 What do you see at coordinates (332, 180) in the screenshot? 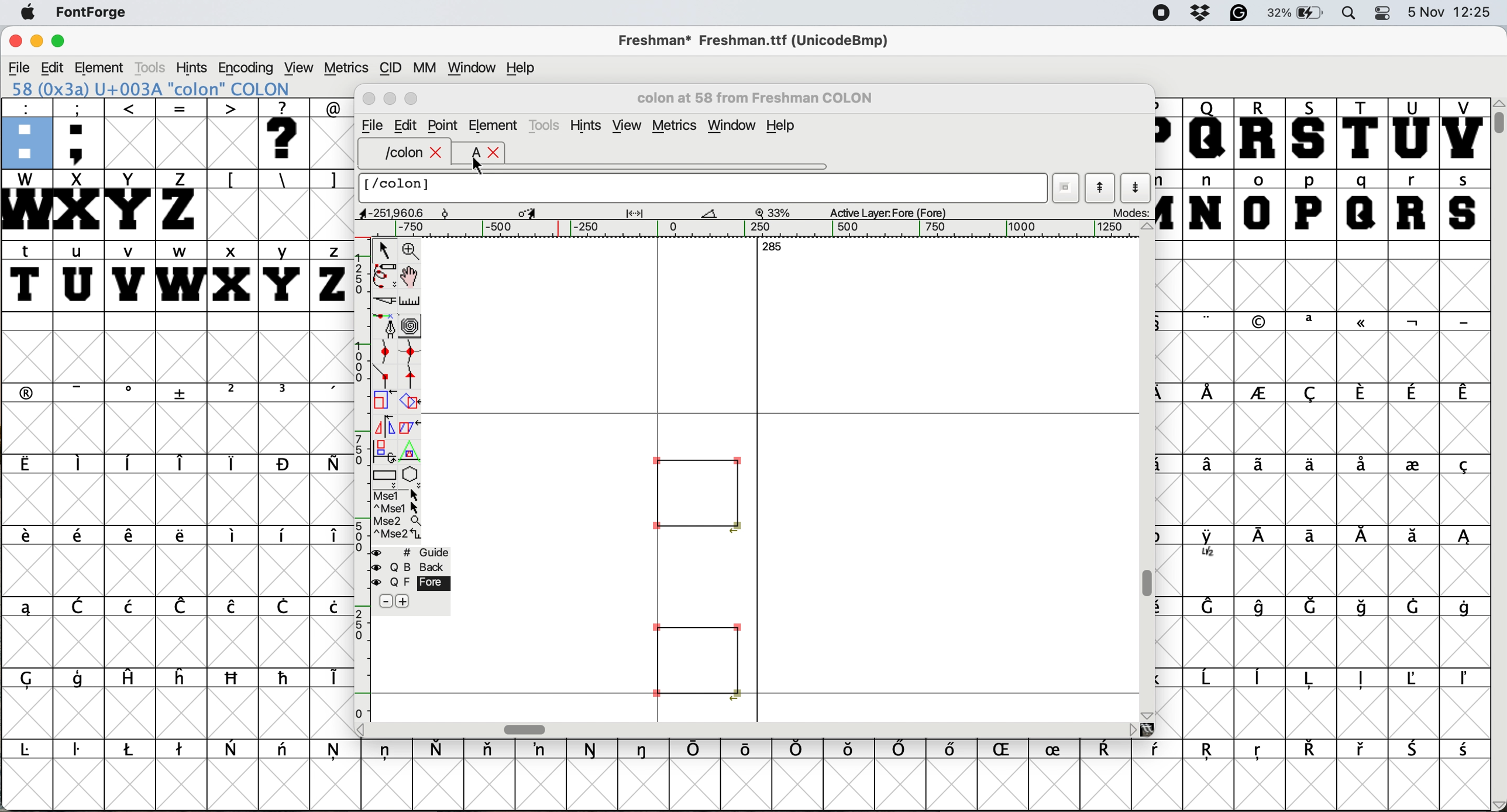
I see `]` at bounding box center [332, 180].